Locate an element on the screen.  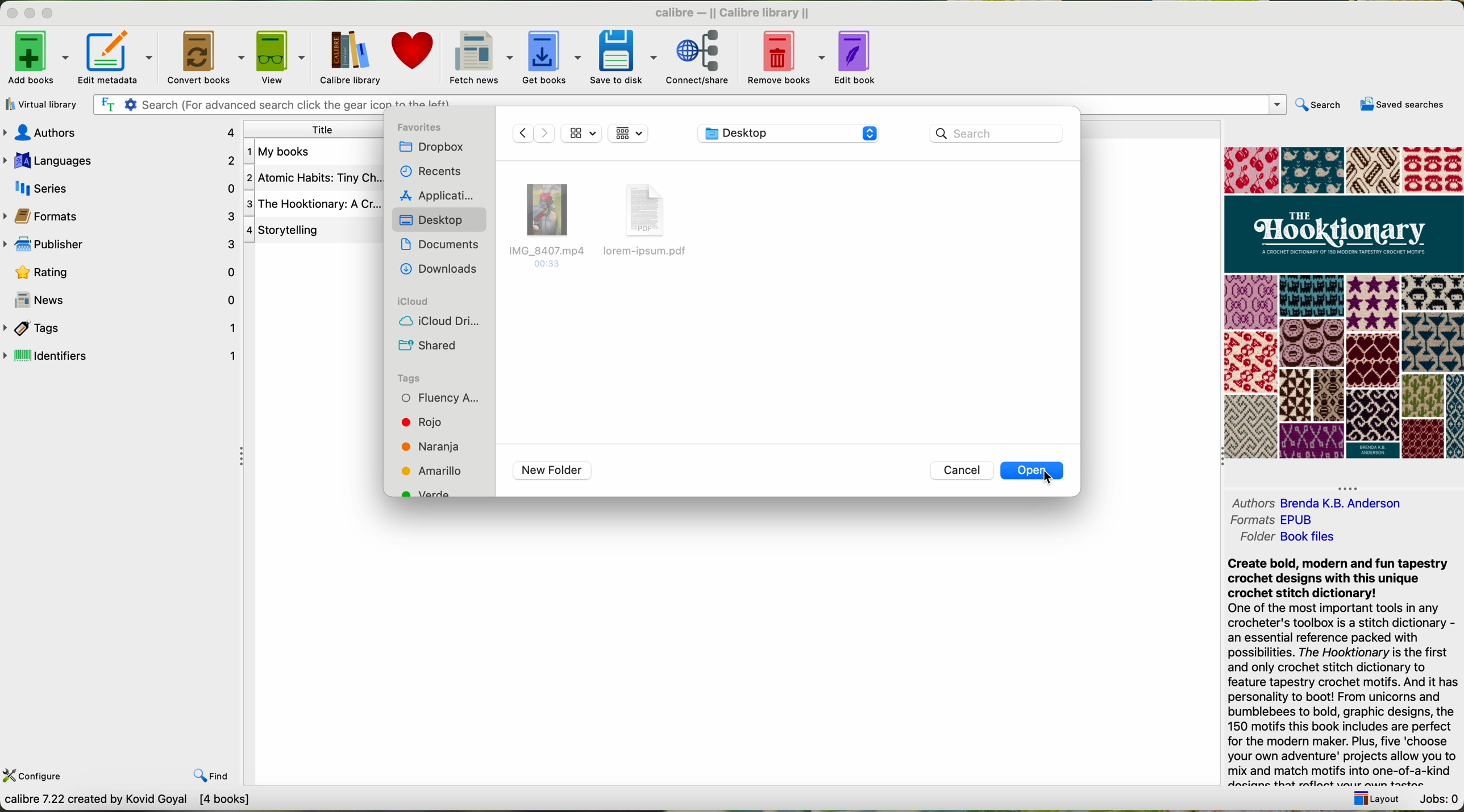
favorites is located at coordinates (423, 126).